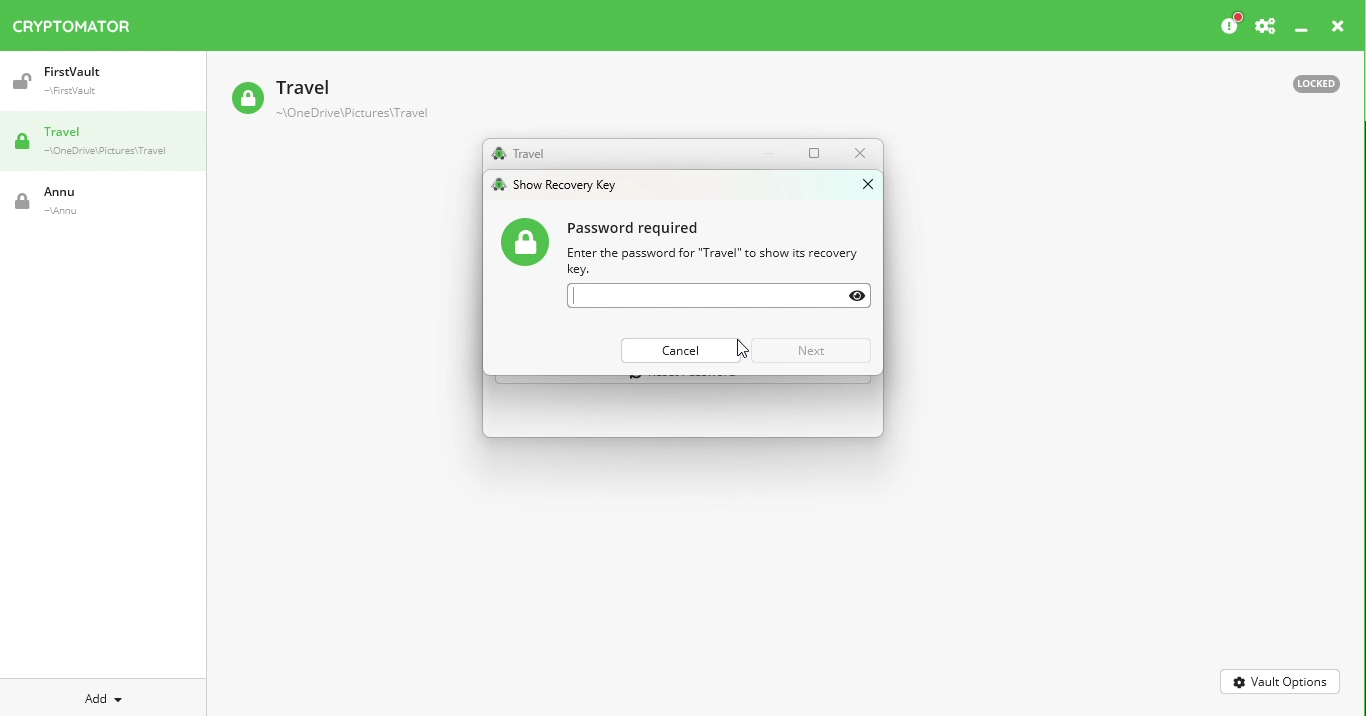 This screenshot has width=1366, height=716. I want to click on Password information, so click(690, 246).